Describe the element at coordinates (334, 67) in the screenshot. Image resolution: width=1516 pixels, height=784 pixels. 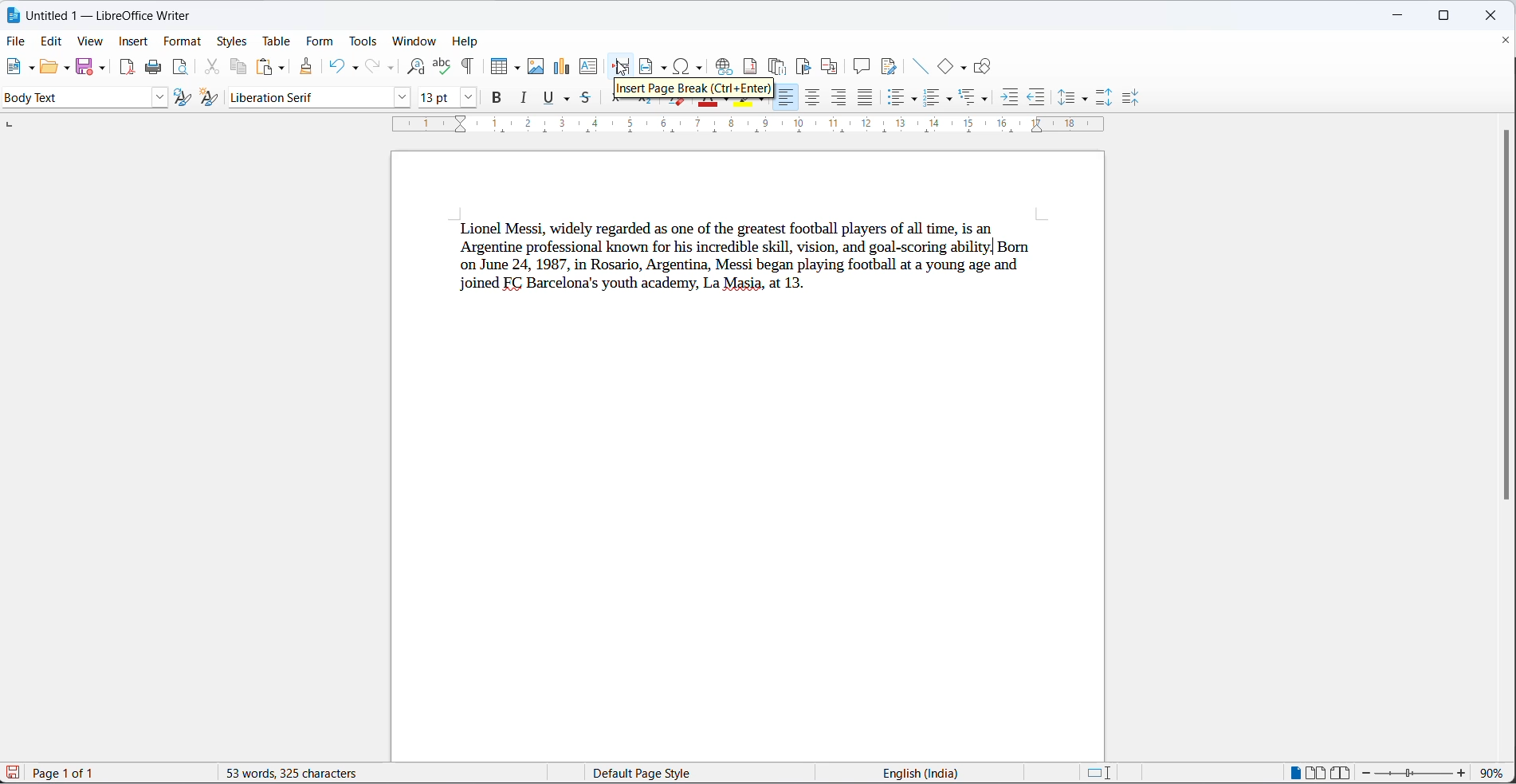
I see `undo` at that location.